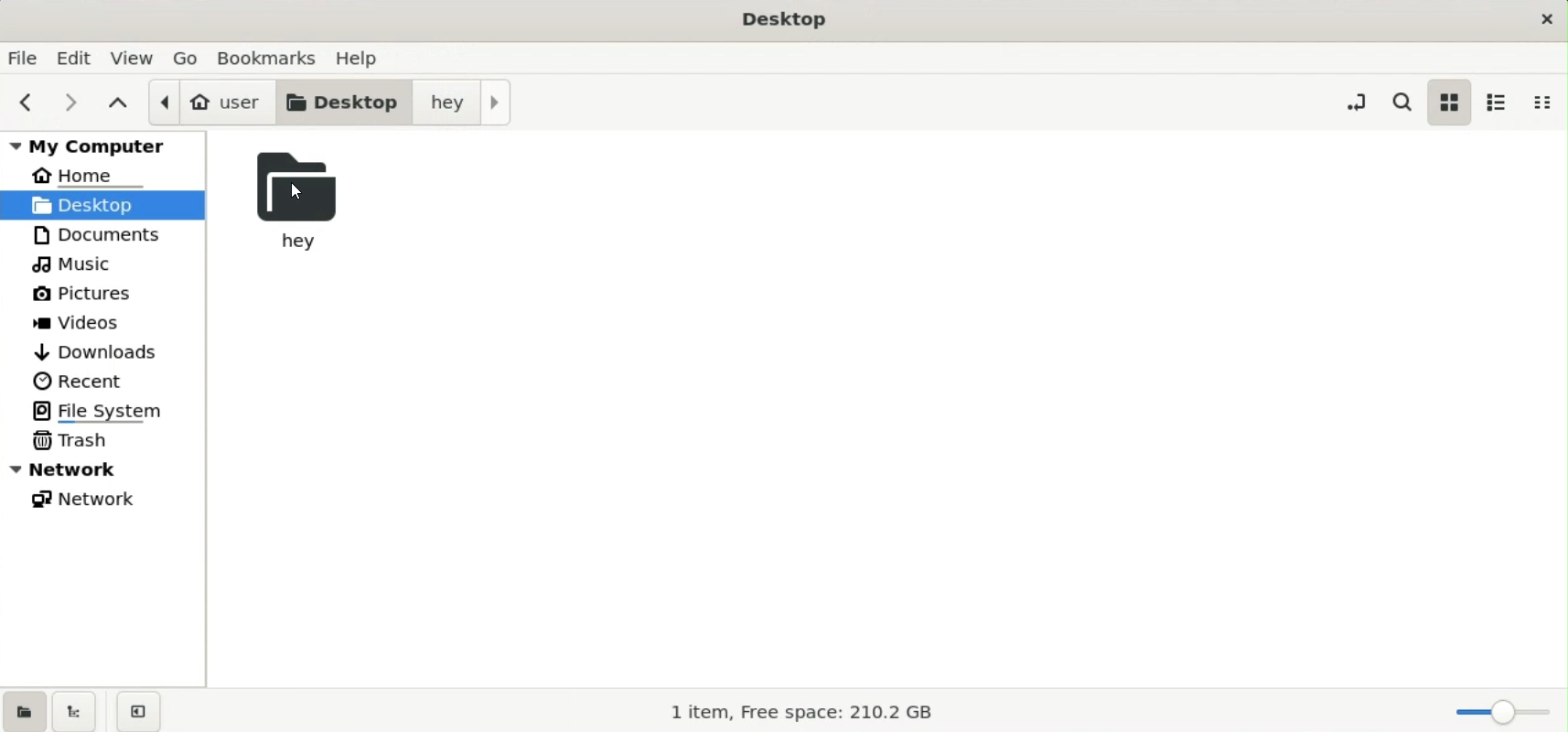  Describe the element at coordinates (299, 195) in the screenshot. I see `cursor` at that location.